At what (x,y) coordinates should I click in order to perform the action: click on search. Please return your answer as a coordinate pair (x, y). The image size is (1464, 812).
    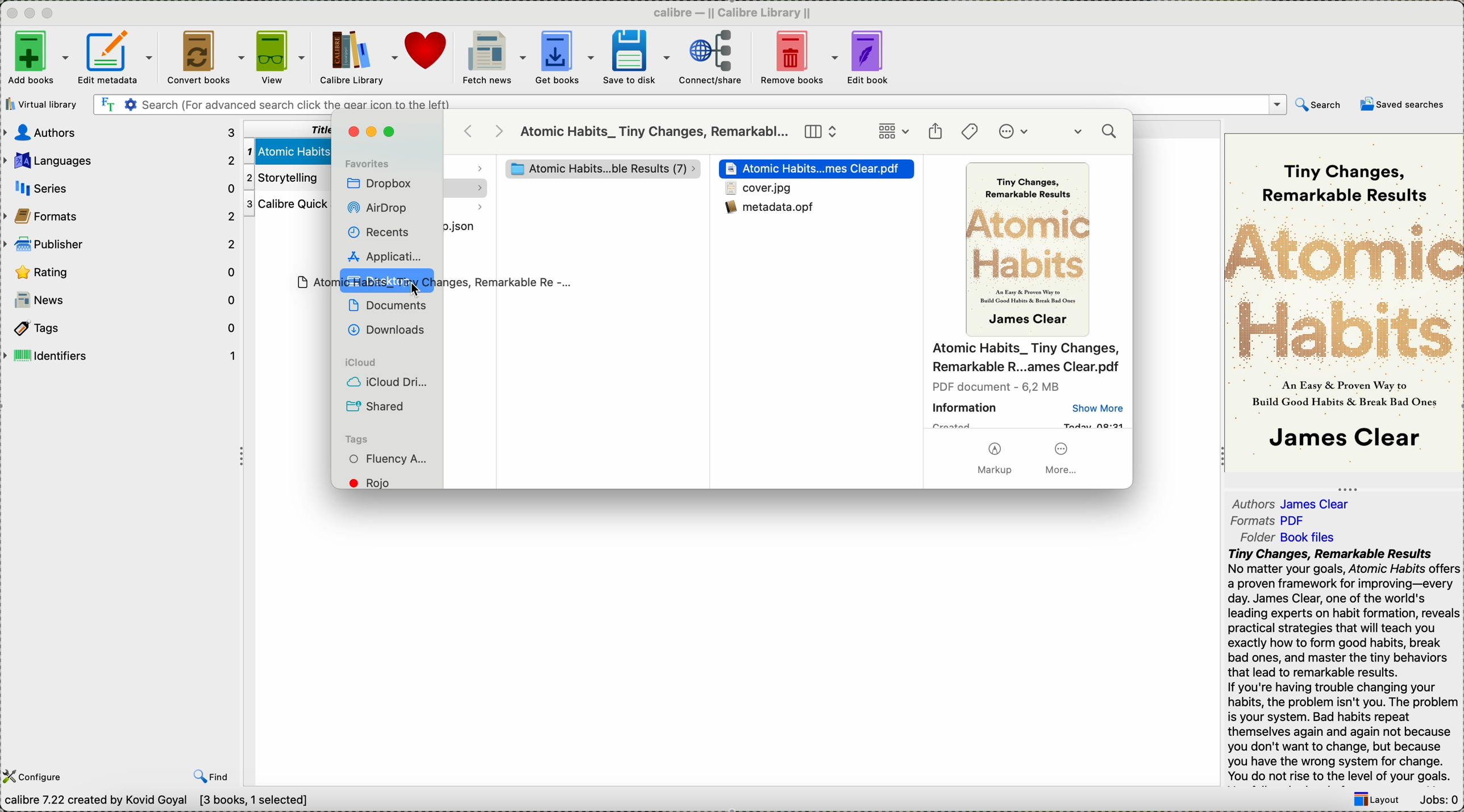
    Looking at the image, I should click on (1319, 107).